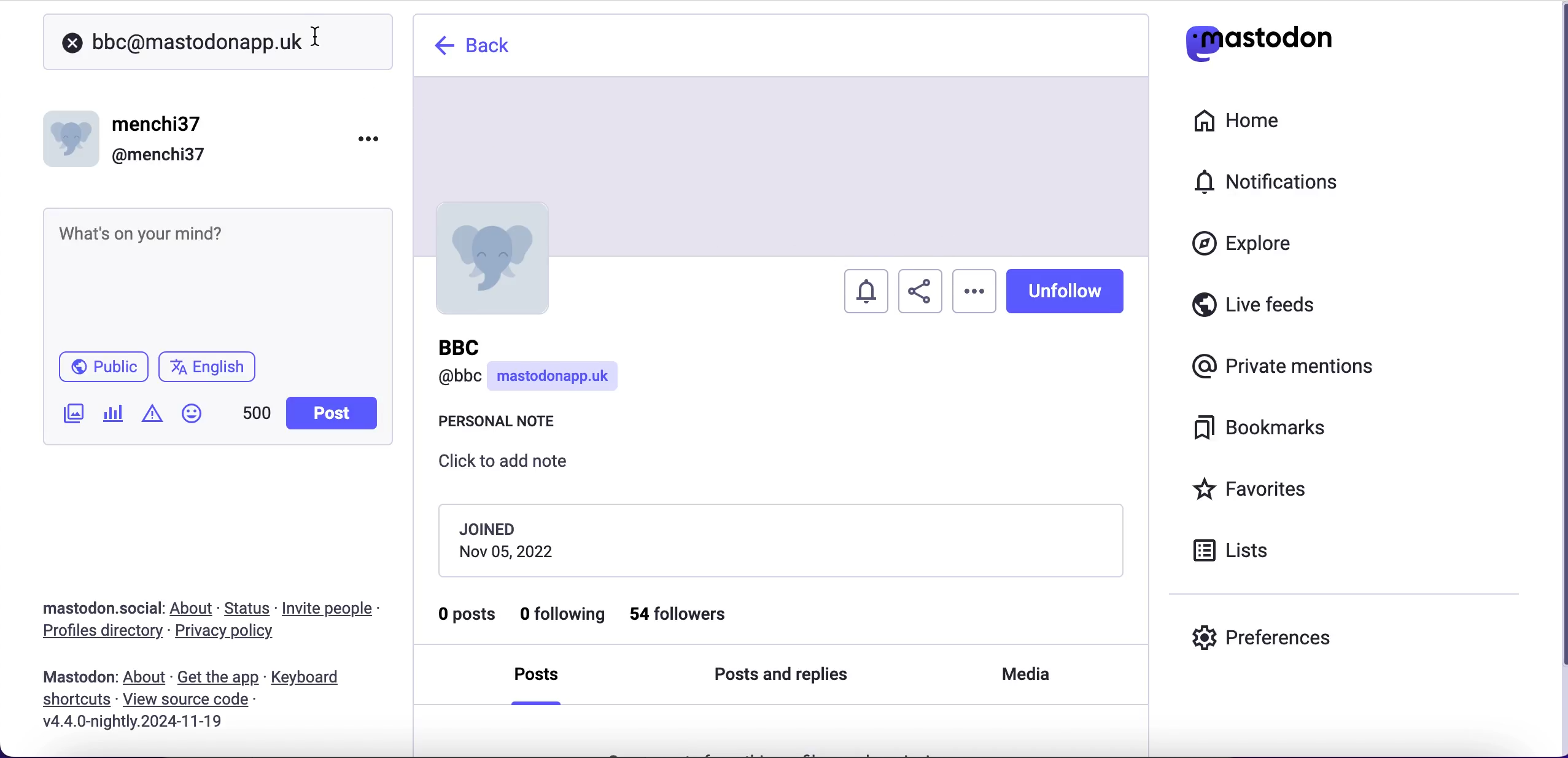 The width and height of the screenshot is (1568, 758). What do you see at coordinates (196, 42) in the screenshot?
I see `user search` at bounding box center [196, 42].